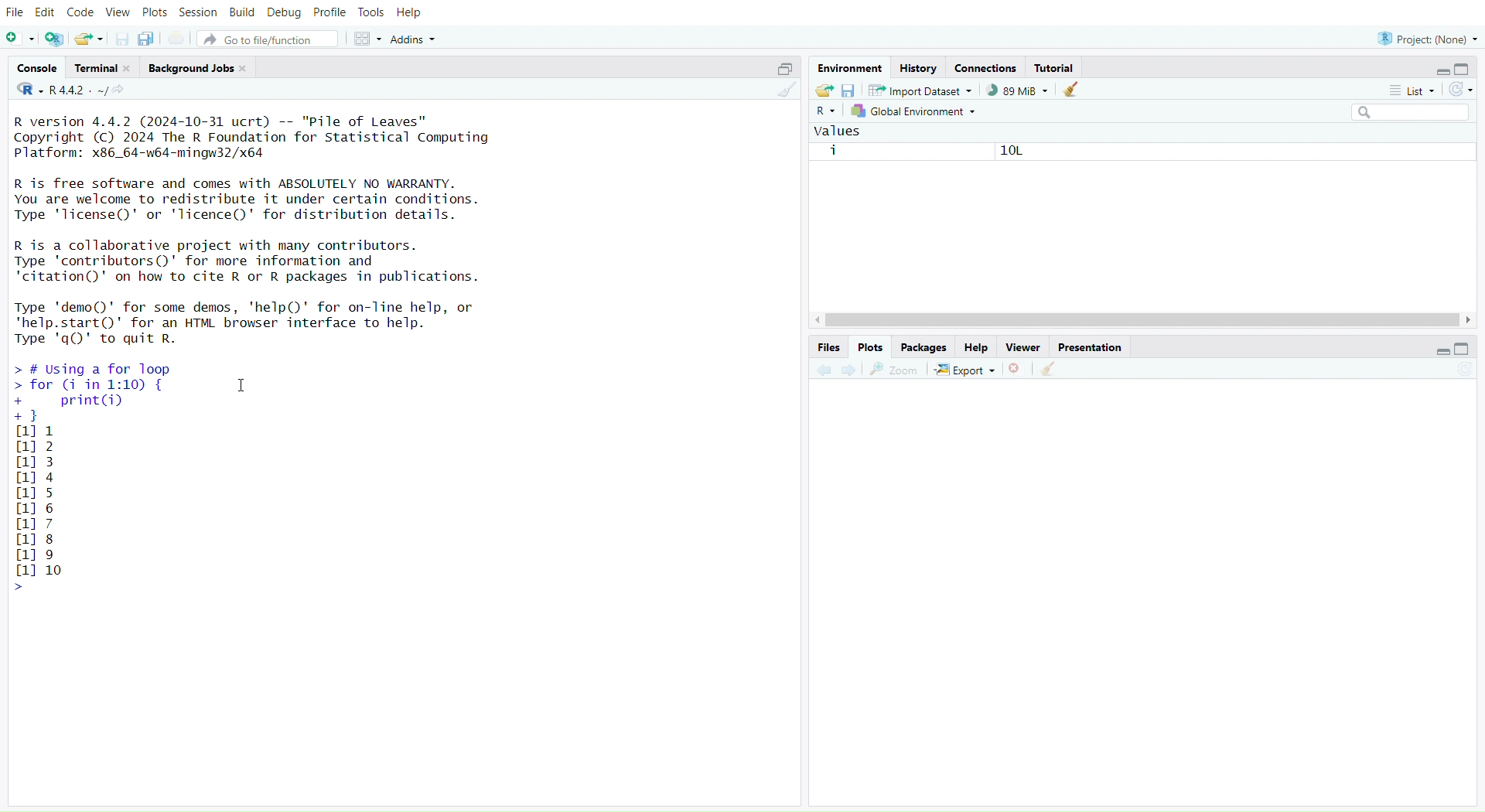 This screenshot has height=812, width=1485. I want to click on create a project, so click(54, 39).